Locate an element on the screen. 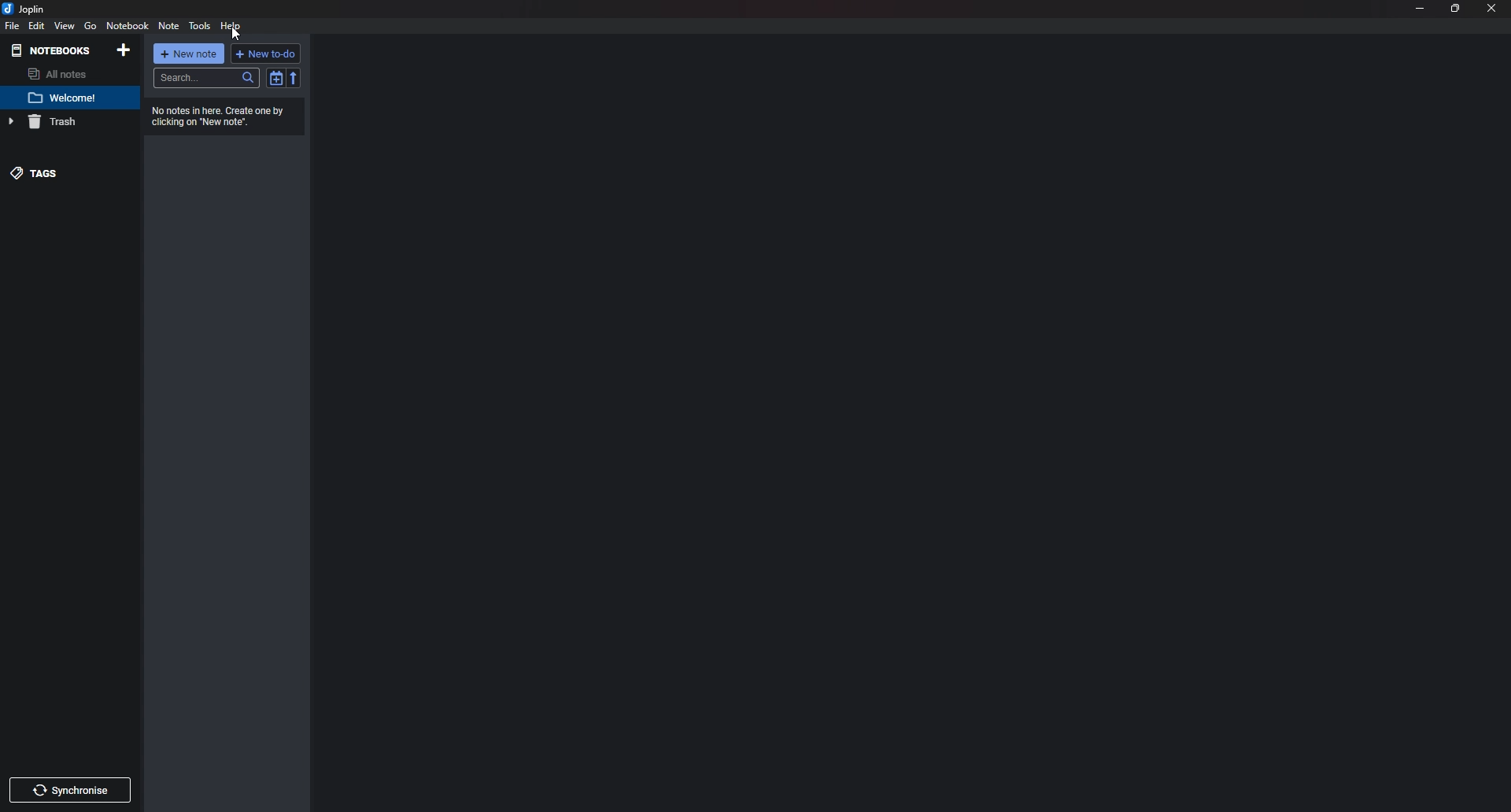 This screenshot has width=1511, height=812. file is located at coordinates (11, 27).